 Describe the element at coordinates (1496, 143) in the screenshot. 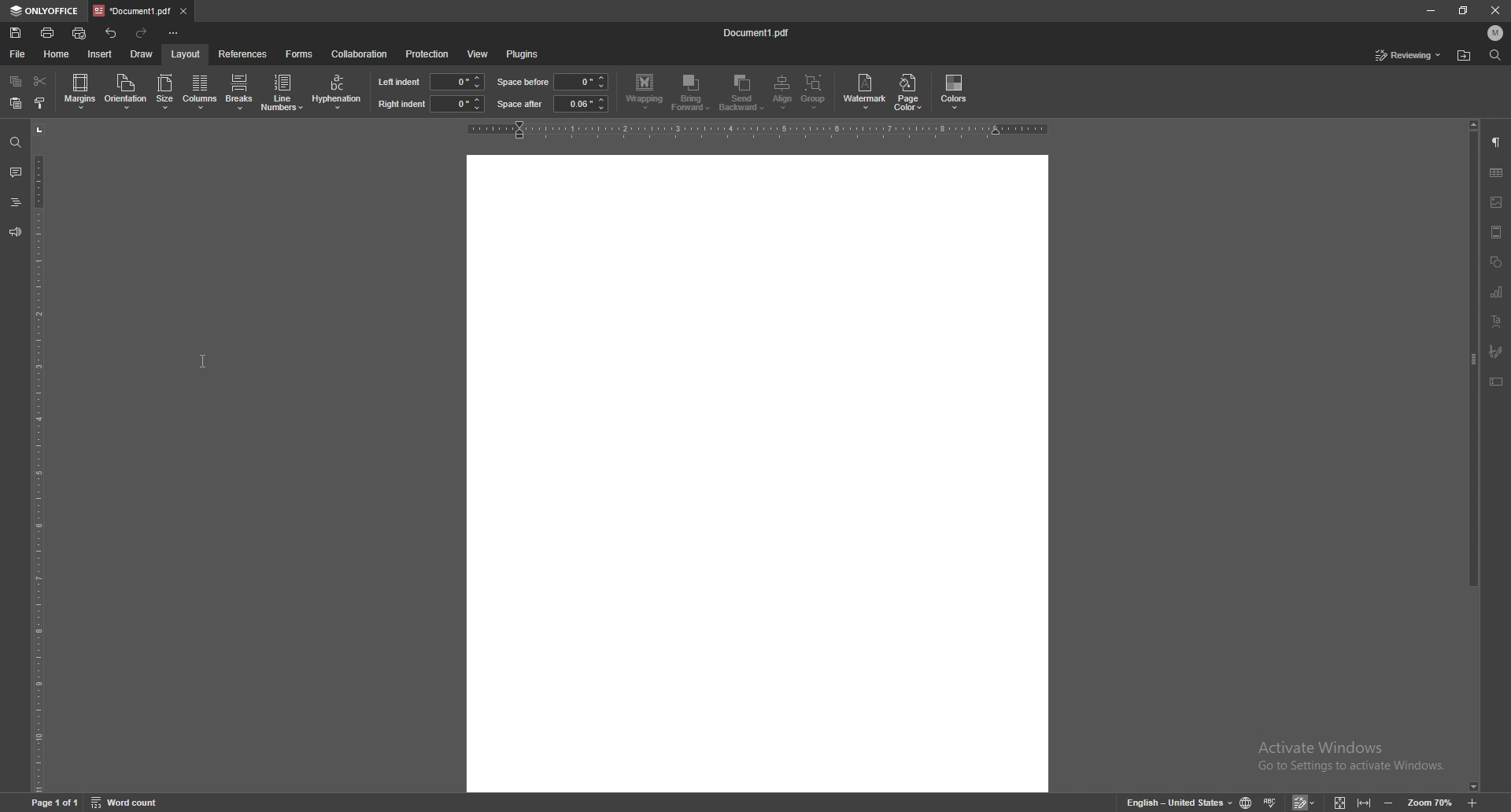

I see `paragraph` at that location.